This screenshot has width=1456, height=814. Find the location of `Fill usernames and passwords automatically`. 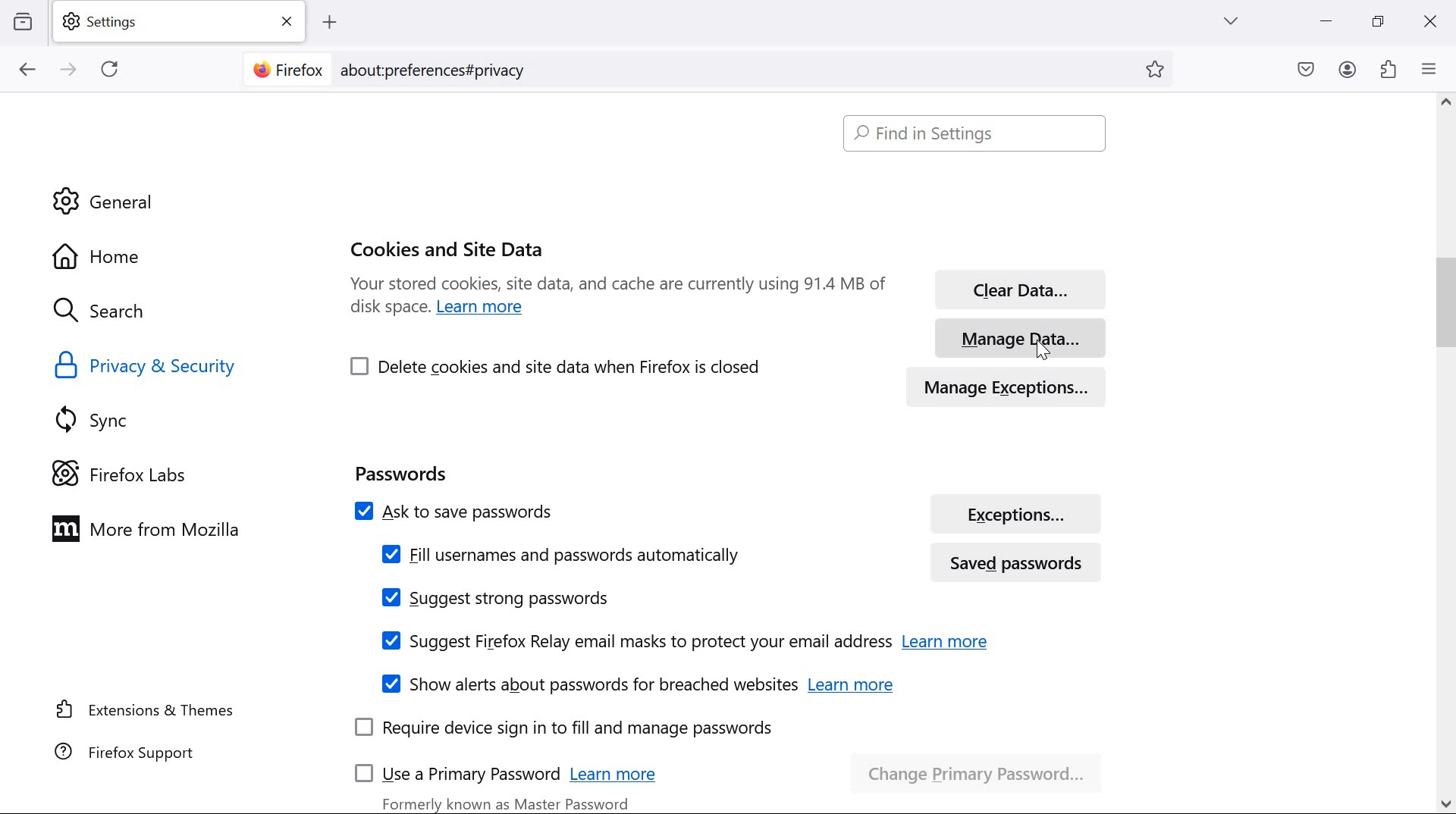

Fill usernames and passwords automatically is located at coordinates (559, 554).